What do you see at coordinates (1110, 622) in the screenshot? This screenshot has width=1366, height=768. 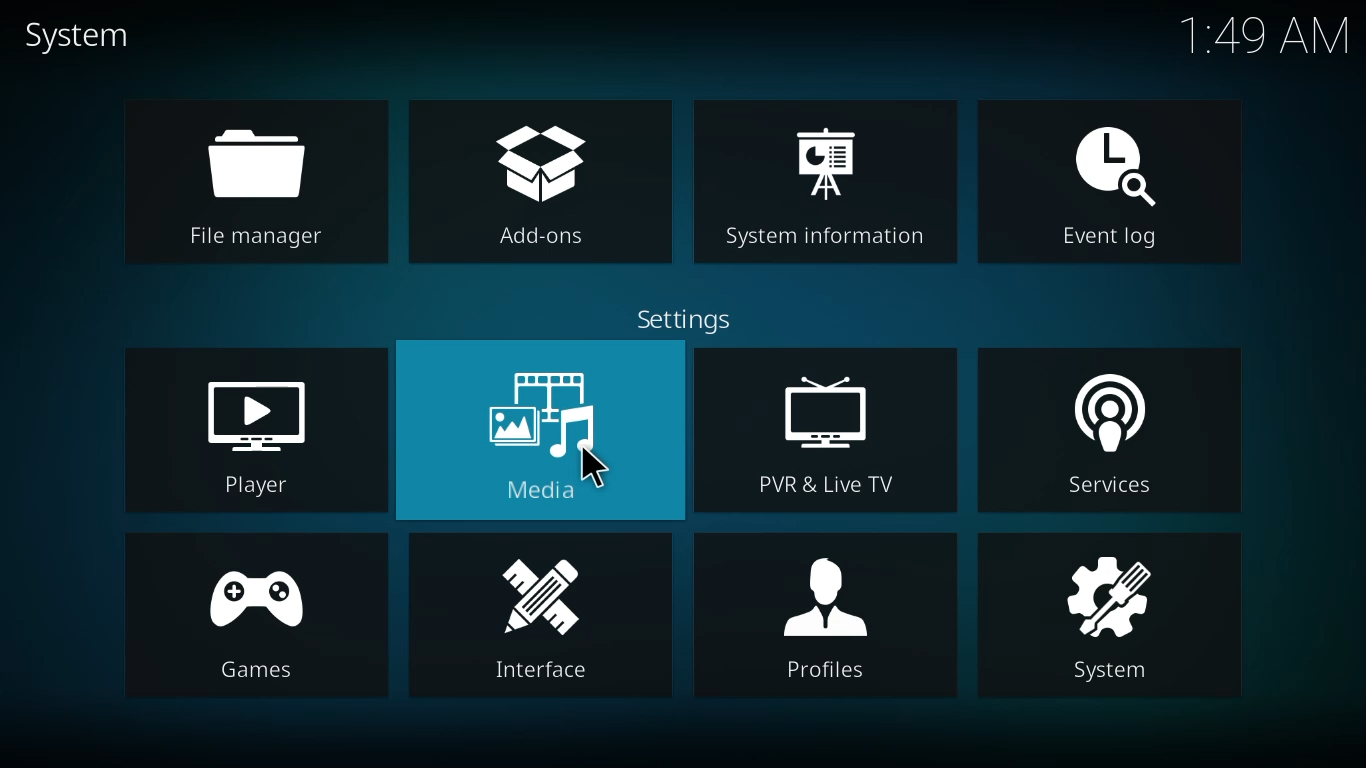 I see `system` at bounding box center [1110, 622].